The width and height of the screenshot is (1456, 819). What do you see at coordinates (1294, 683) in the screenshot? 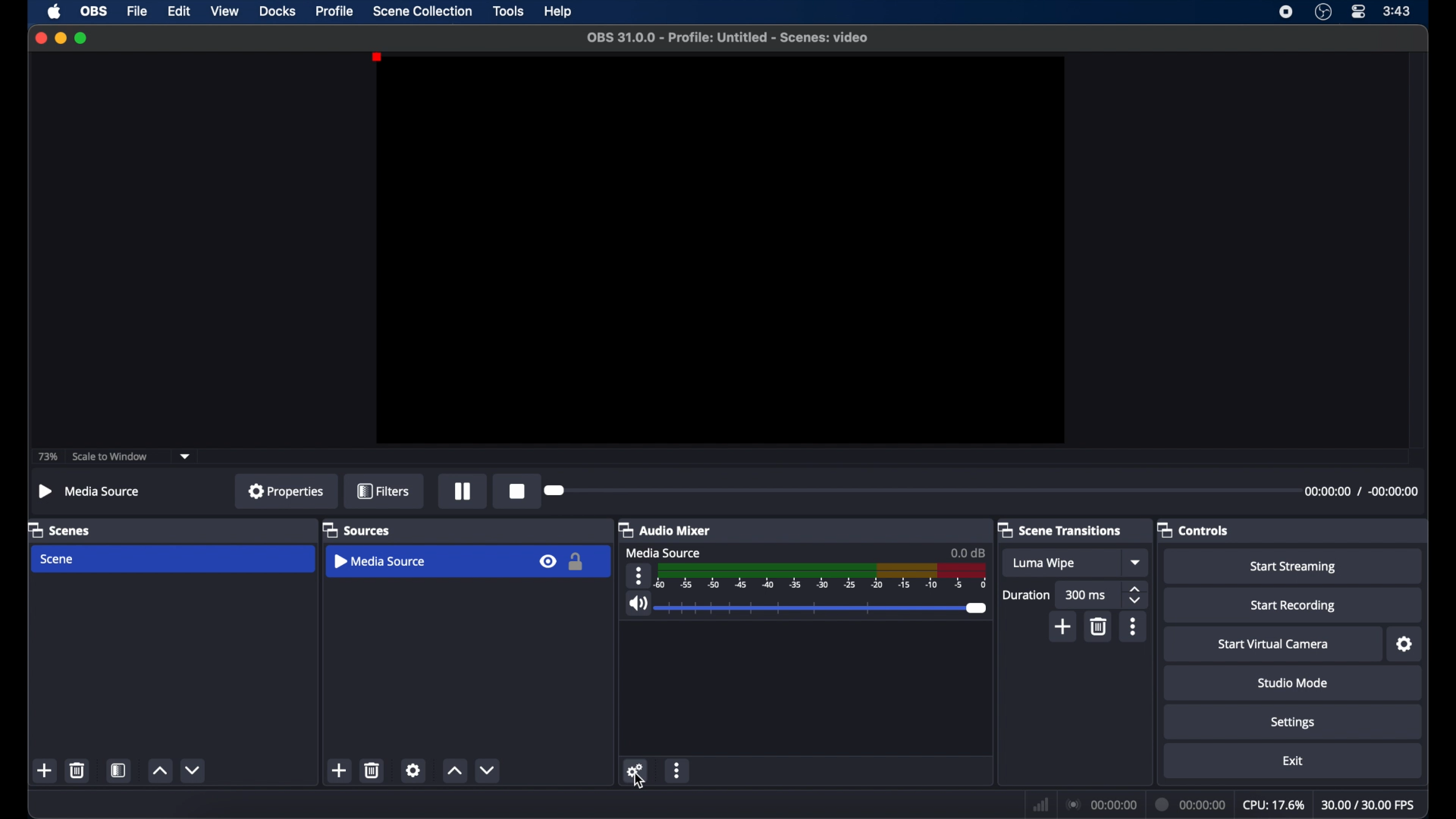
I see `studio mode` at bounding box center [1294, 683].